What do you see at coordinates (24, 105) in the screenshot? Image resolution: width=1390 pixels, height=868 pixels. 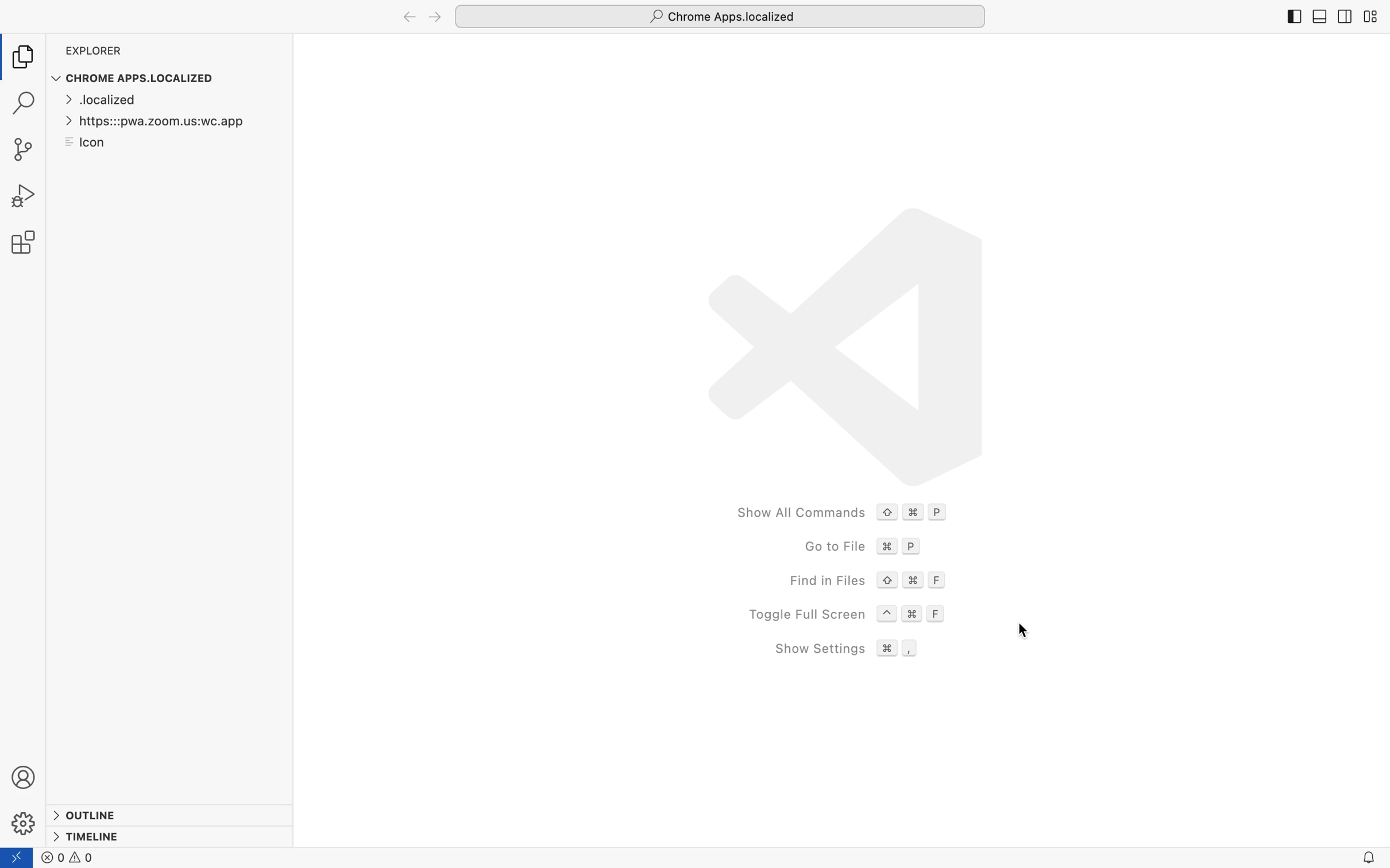 I see `search` at bounding box center [24, 105].